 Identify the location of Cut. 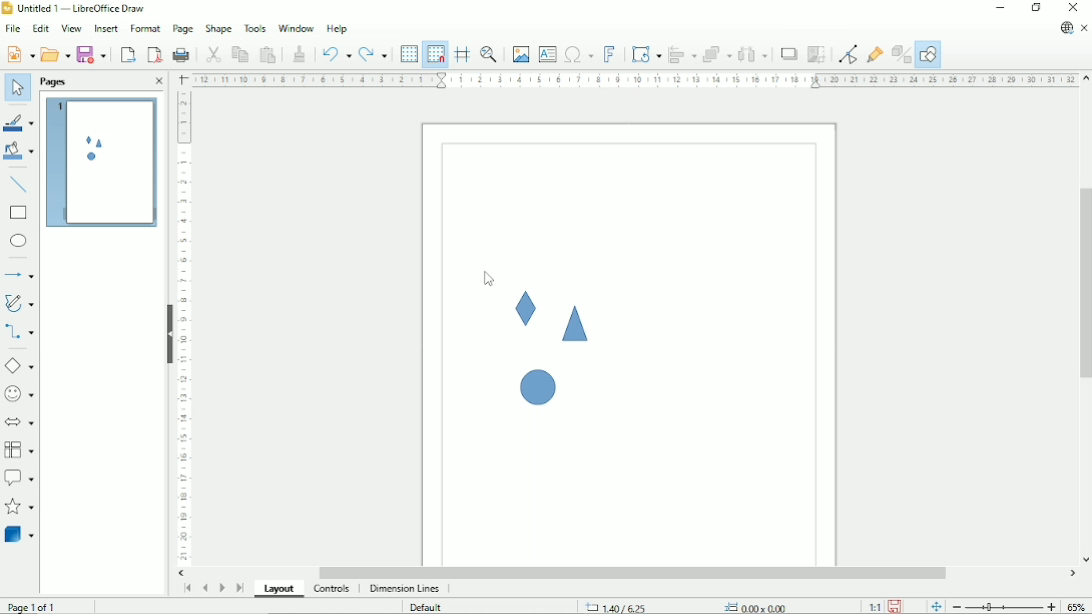
(212, 53).